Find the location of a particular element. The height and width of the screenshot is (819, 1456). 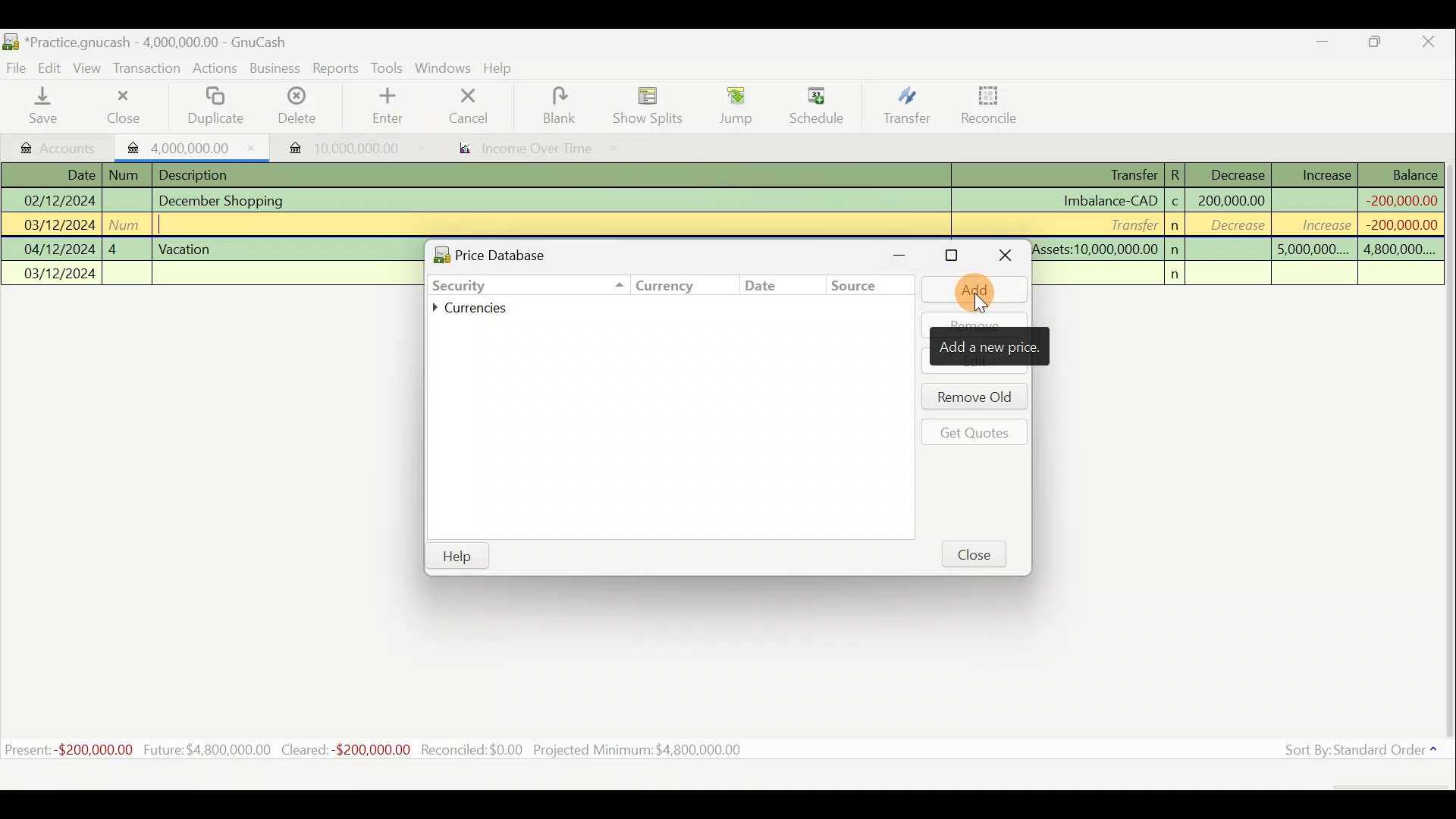

December Shopping is located at coordinates (228, 201).